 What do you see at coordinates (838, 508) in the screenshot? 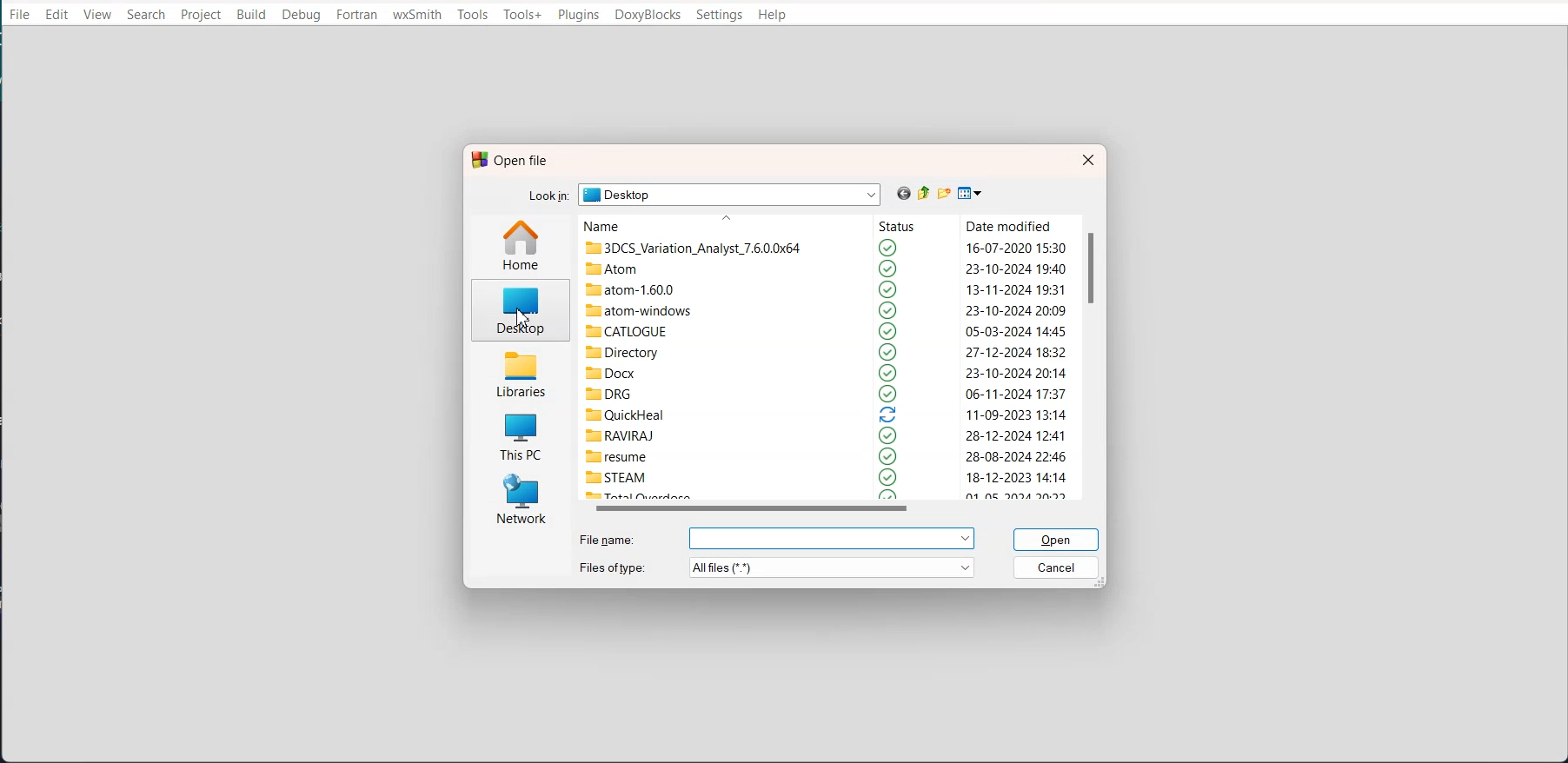
I see `Horizontal scroll bar` at bounding box center [838, 508].